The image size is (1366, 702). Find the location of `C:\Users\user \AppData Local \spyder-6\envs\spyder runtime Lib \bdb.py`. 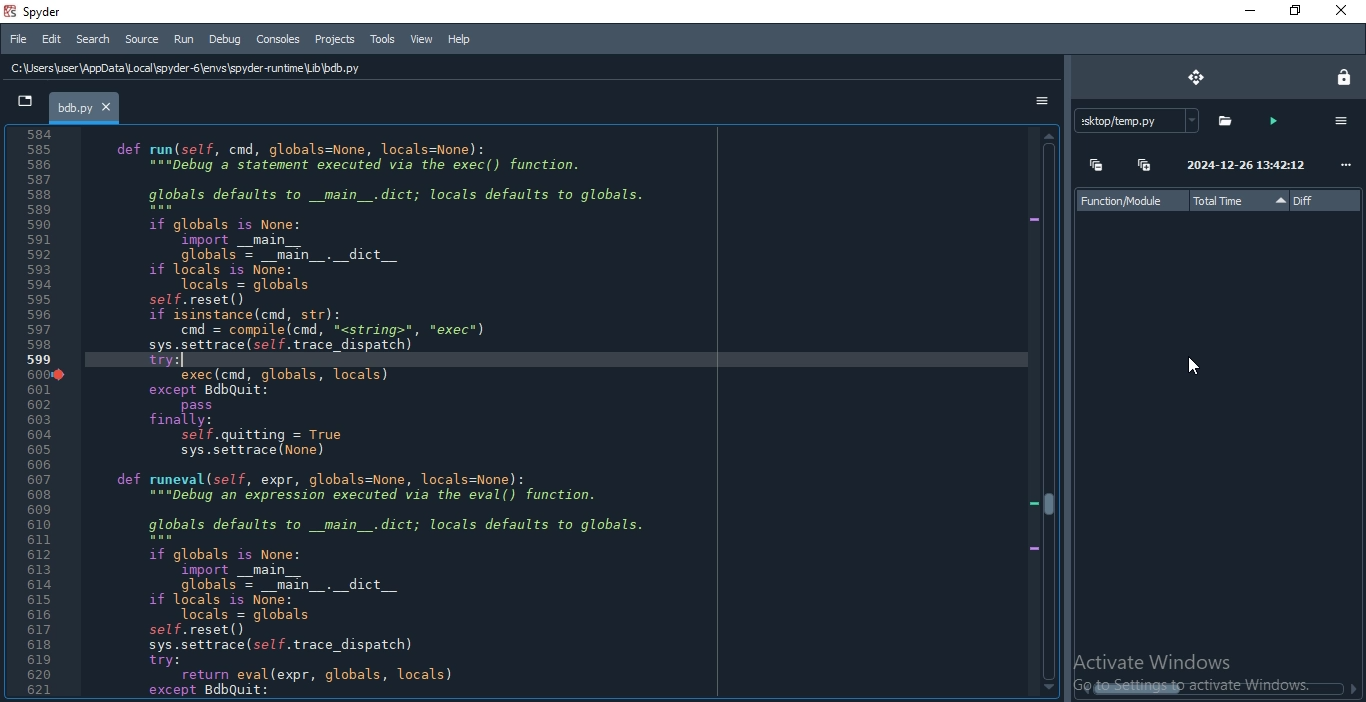

C:\Users\user \AppData Local \spyder-6\envs\spyder runtime Lib \bdb.py is located at coordinates (195, 69).